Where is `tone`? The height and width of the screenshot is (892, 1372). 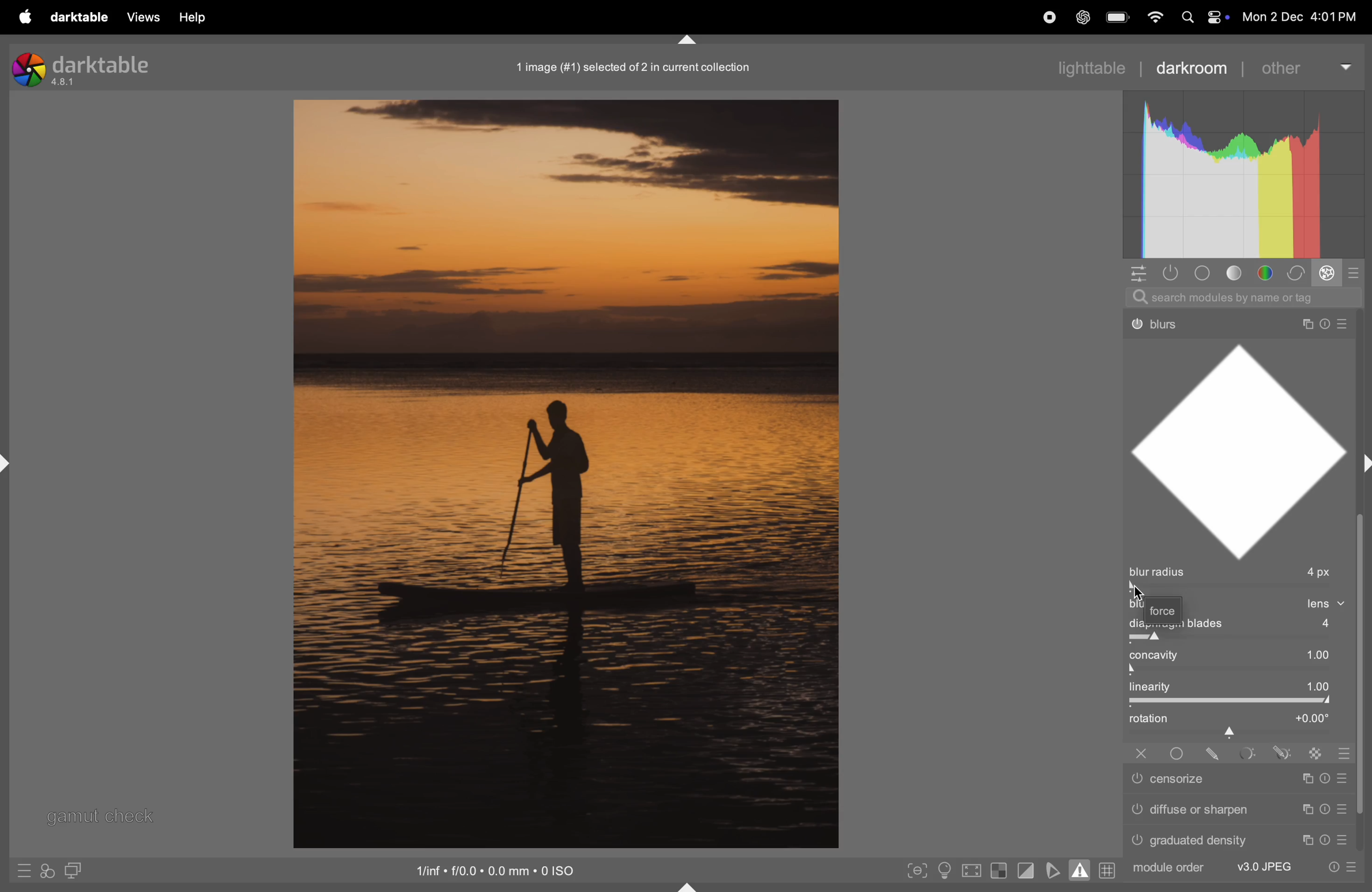
tone is located at coordinates (1239, 273).